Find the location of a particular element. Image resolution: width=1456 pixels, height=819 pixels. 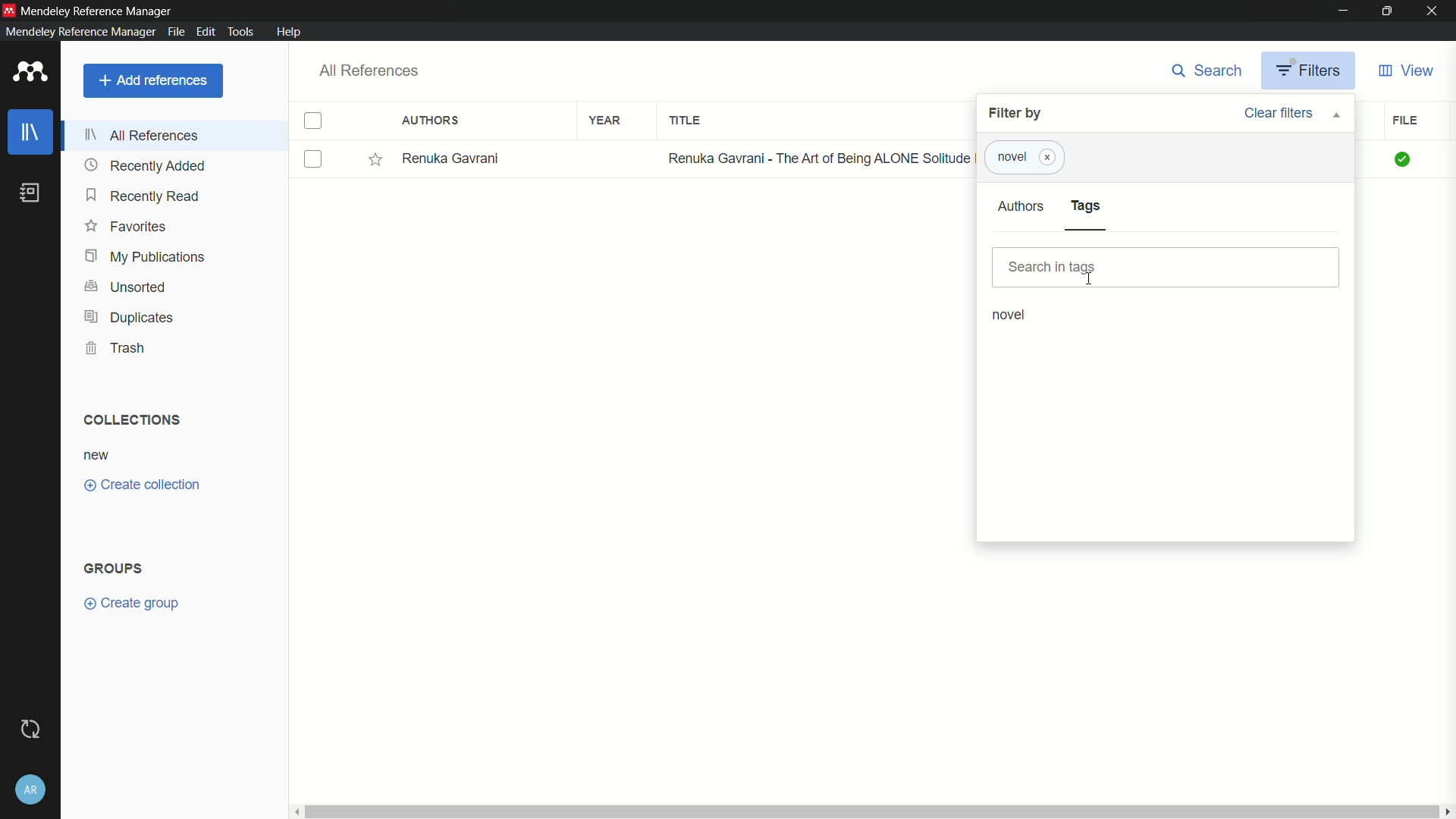

title is located at coordinates (685, 120).